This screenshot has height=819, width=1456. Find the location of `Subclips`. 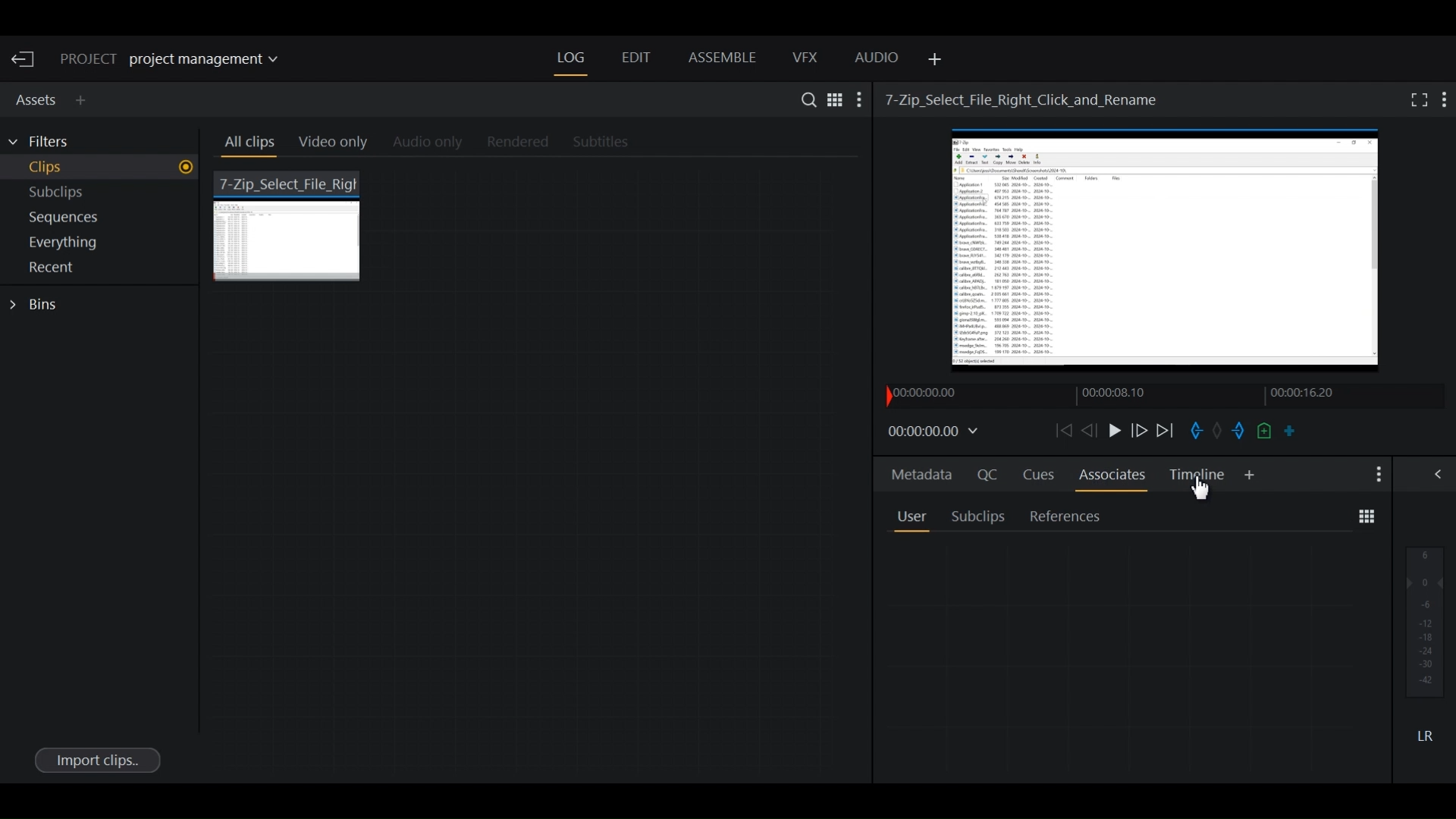

Subclips is located at coordinates (980, 516).